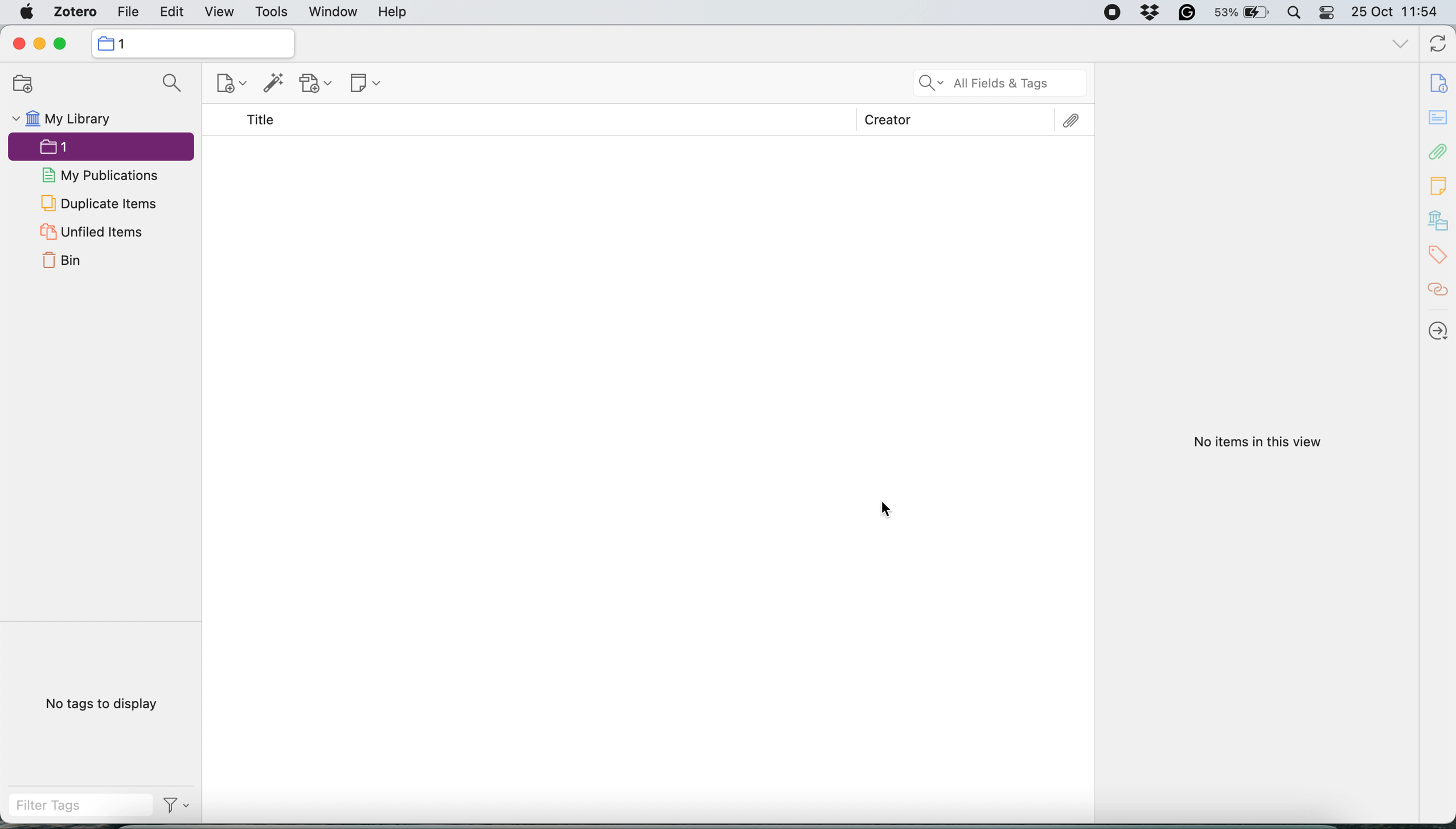 This screenshot has width=1456, height=829. What do you see at coordinates (175, 82) in the screenshot?
I see `search` at bounding box center [175, 82].